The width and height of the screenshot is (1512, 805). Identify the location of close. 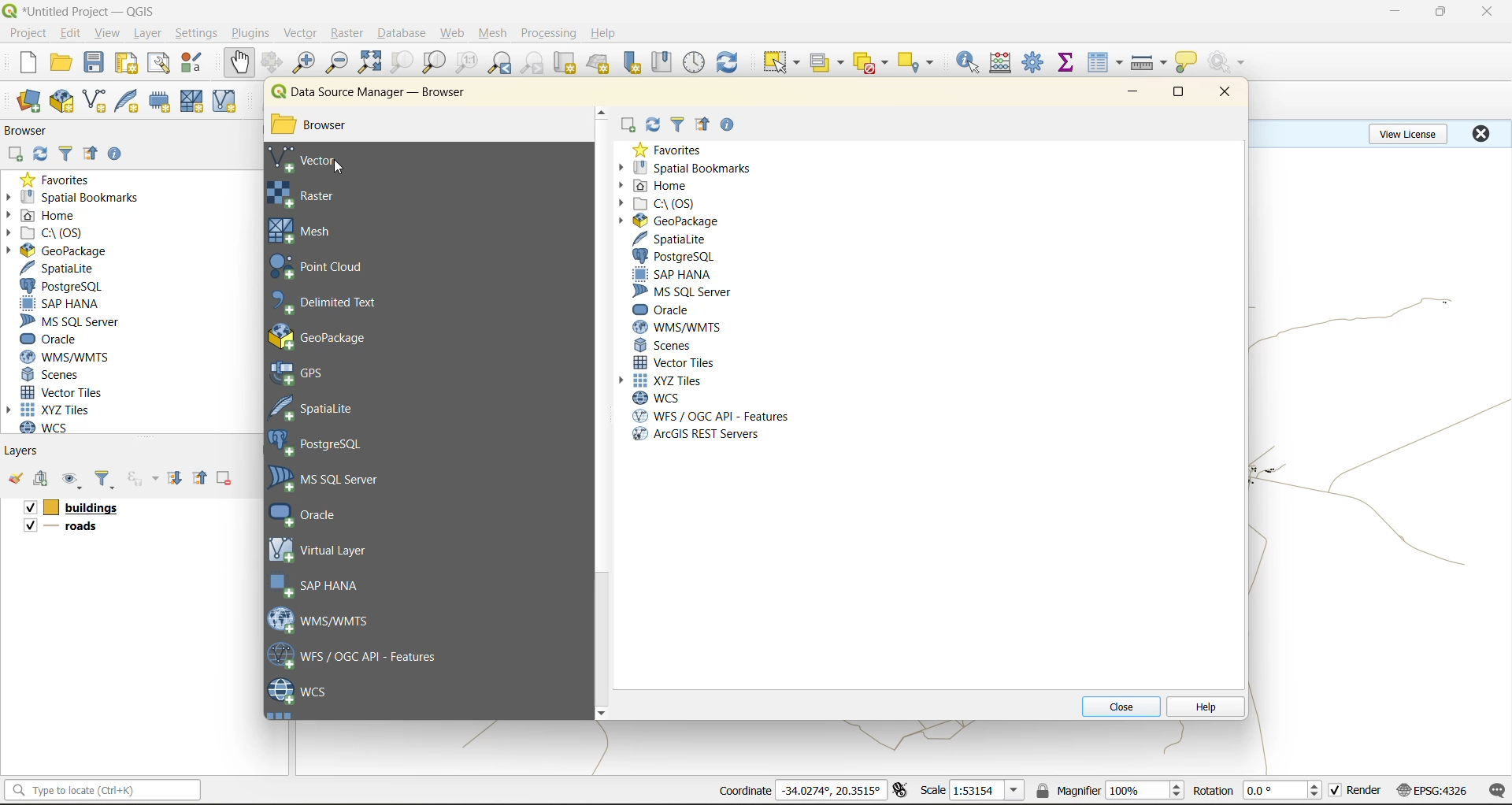
(1488, 12).